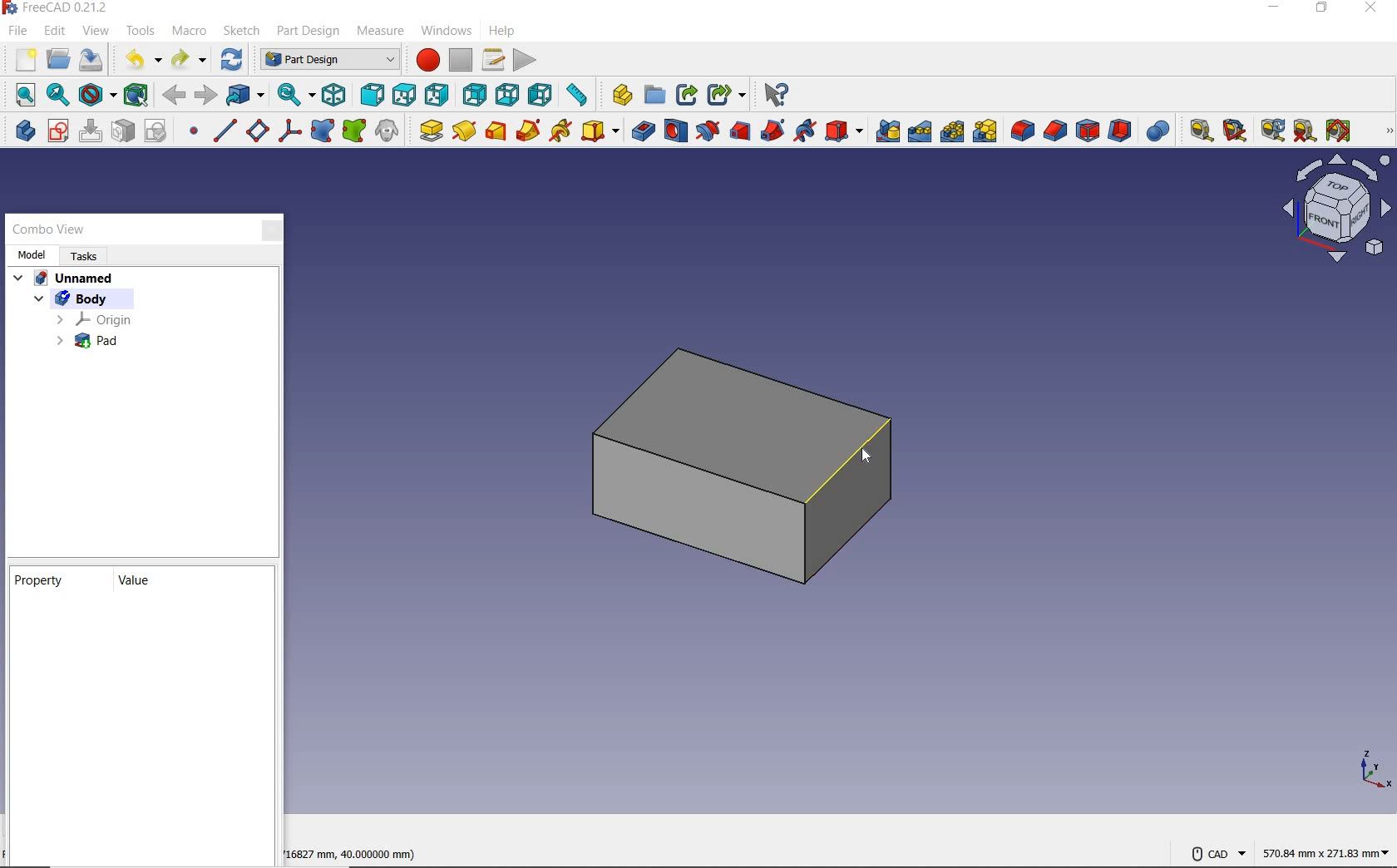  I want to click on refresh, so click(1271, 131).